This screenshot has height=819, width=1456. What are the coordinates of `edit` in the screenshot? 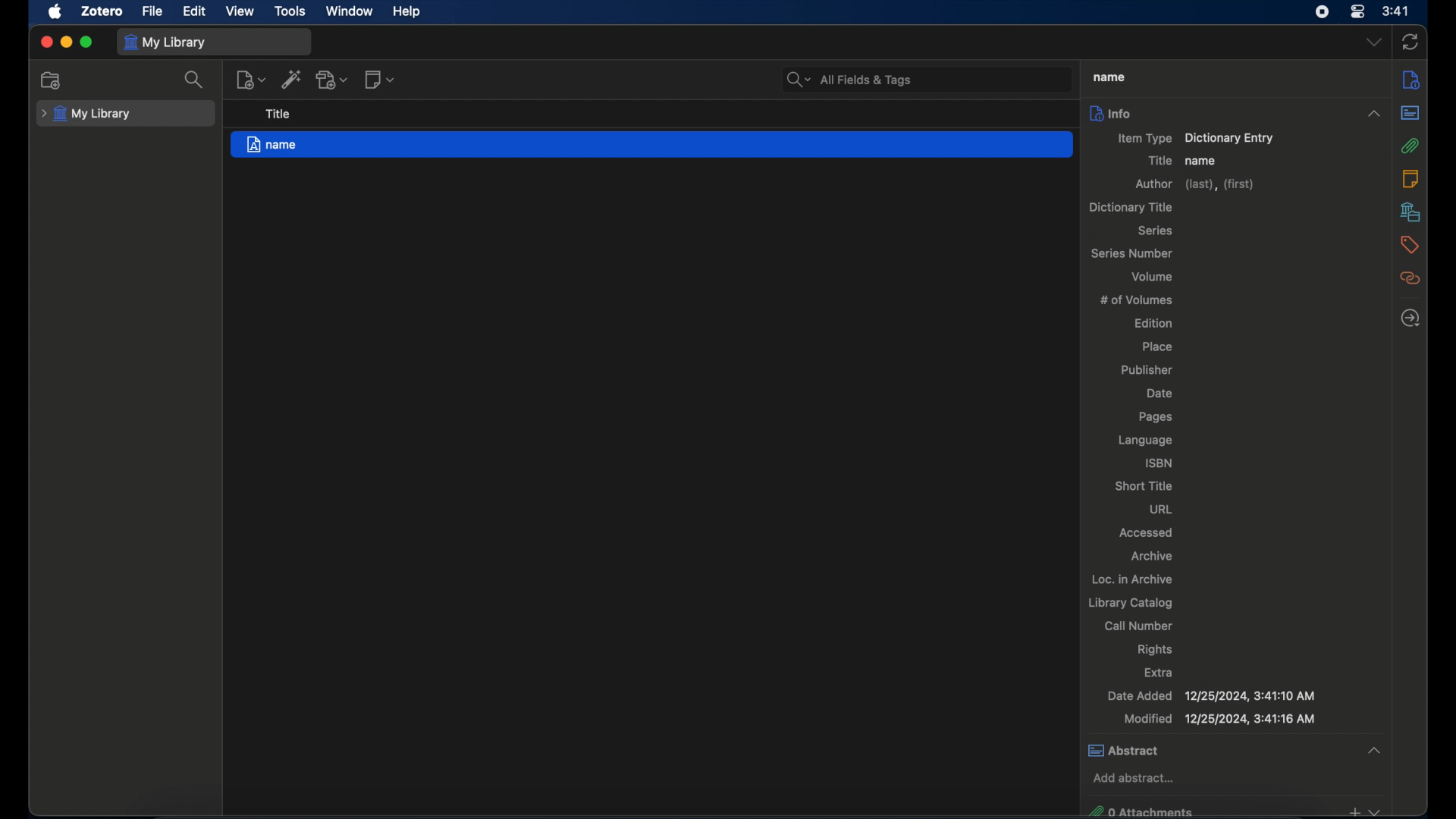 It's located at (196, 12).